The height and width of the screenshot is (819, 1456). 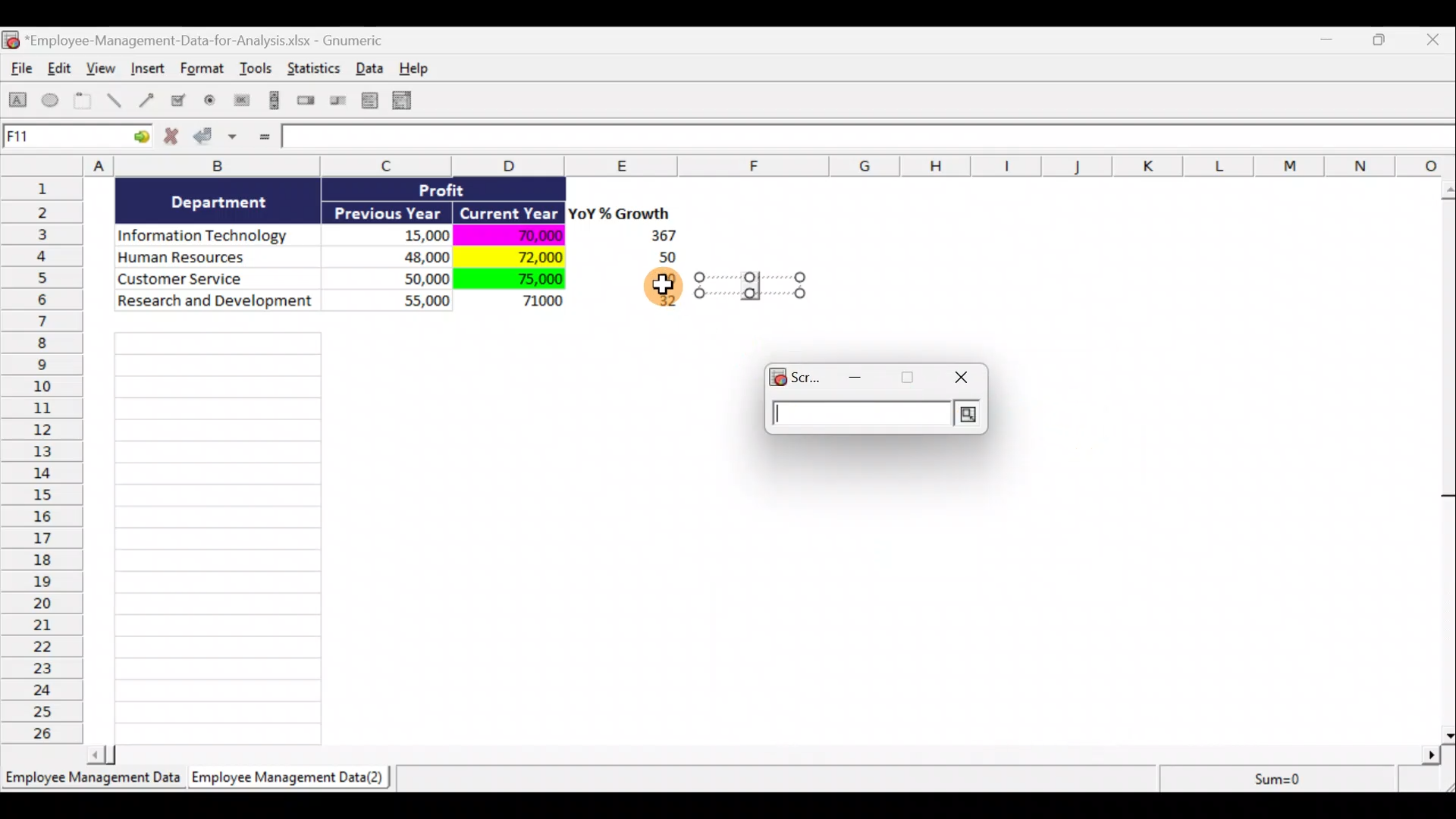 I want to click on Format, so click(x=204, y=71).